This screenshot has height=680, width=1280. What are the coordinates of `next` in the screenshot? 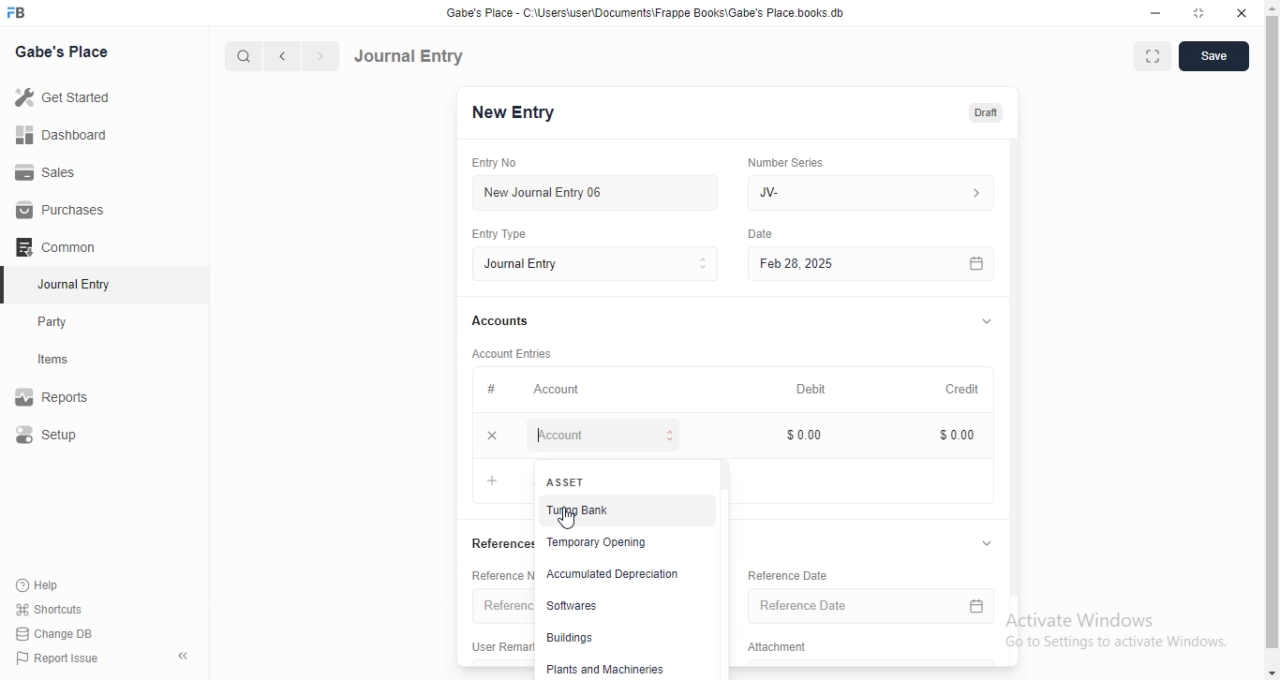 It's located at (318, 57).